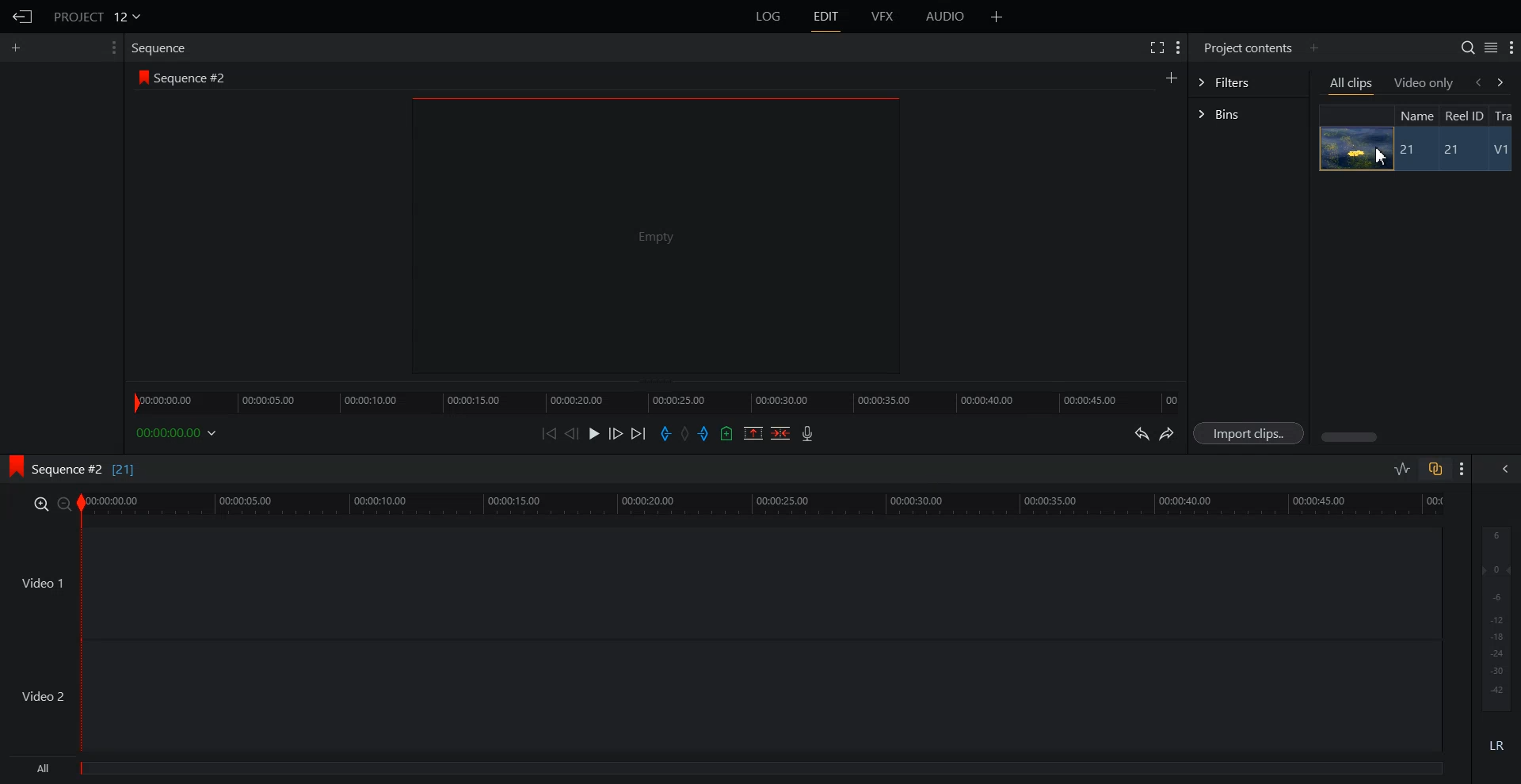 The height and width of the screenshot is (784, 1521). What do you see at coordinates (1504, 82) in the screenshot?
I see `forward` at bounding box center [1504, 82].